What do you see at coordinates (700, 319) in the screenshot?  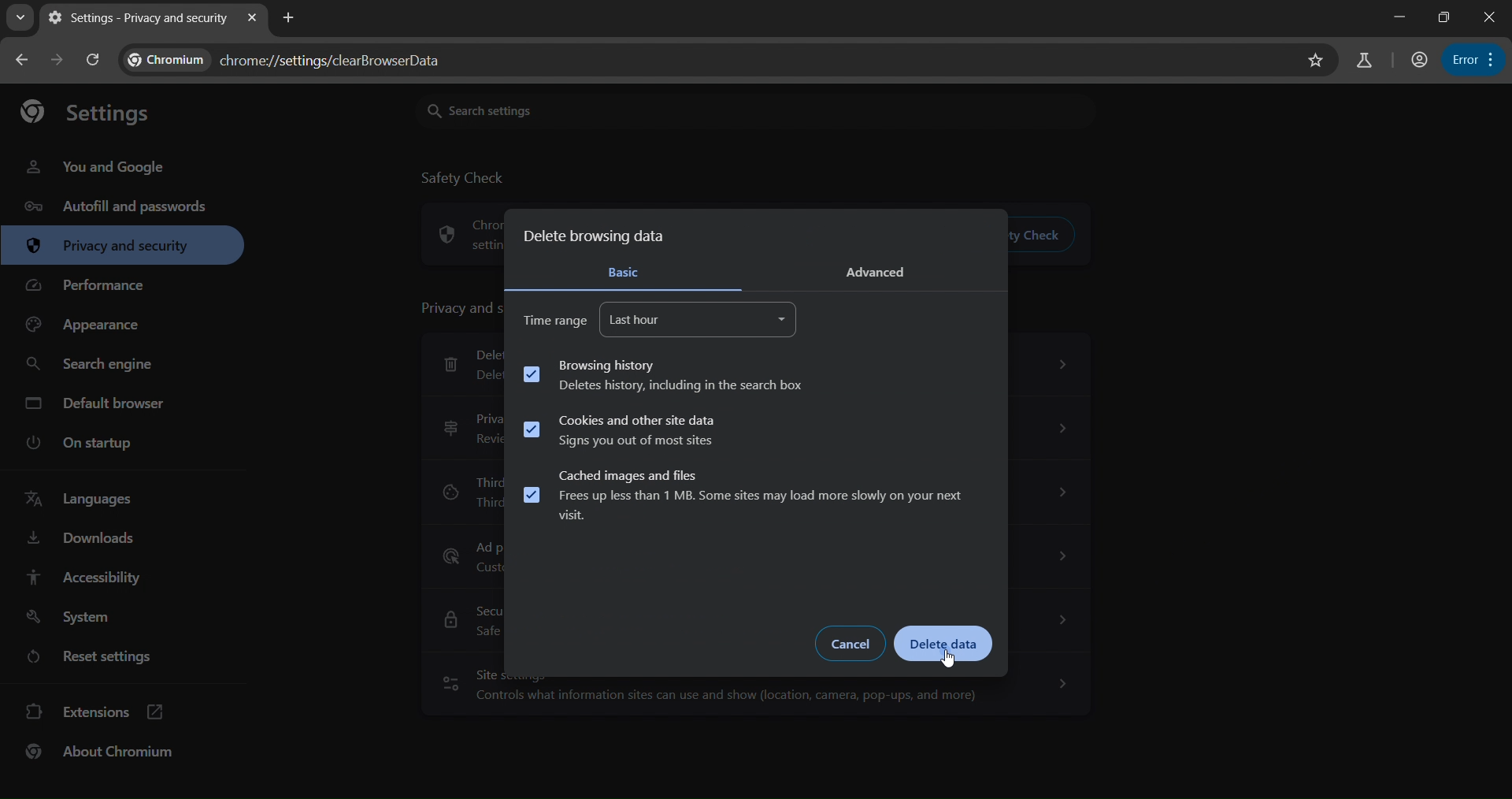 I see `last time` at bounding box center [700, 319].